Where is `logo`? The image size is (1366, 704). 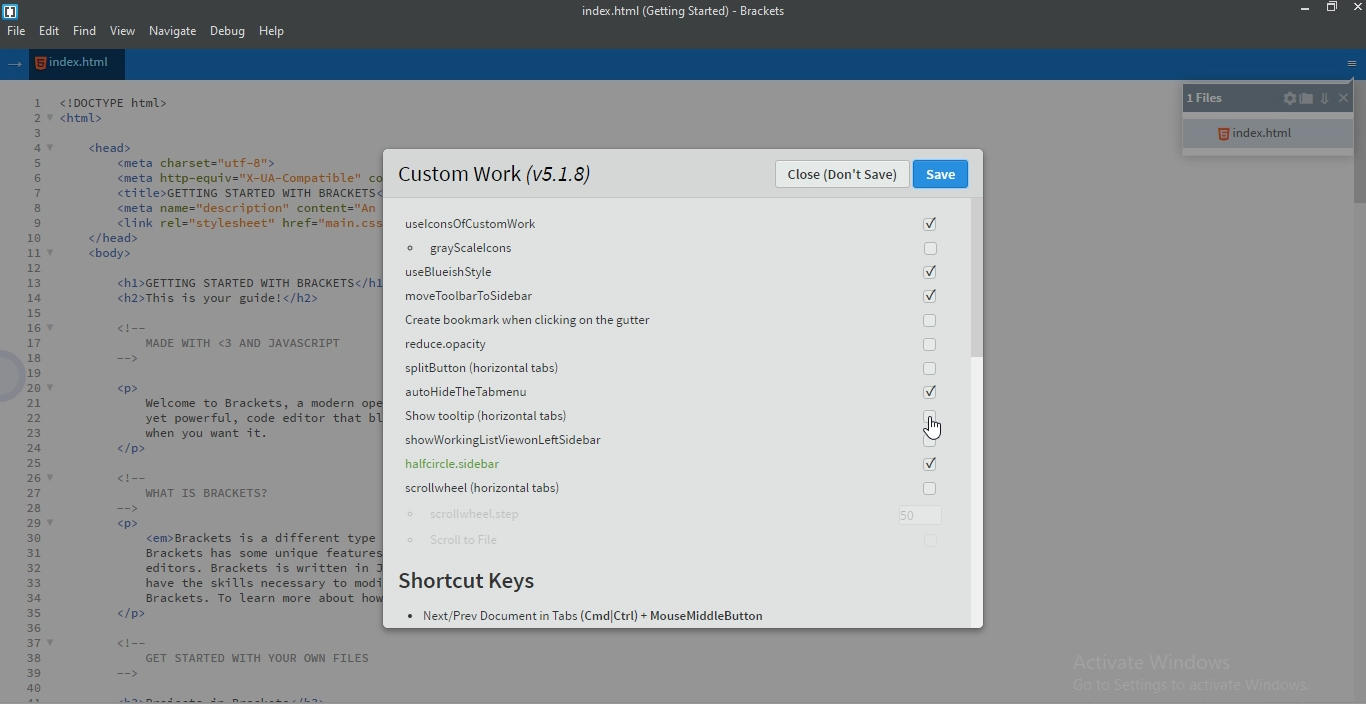
logo is located at coordinates (12, 10).